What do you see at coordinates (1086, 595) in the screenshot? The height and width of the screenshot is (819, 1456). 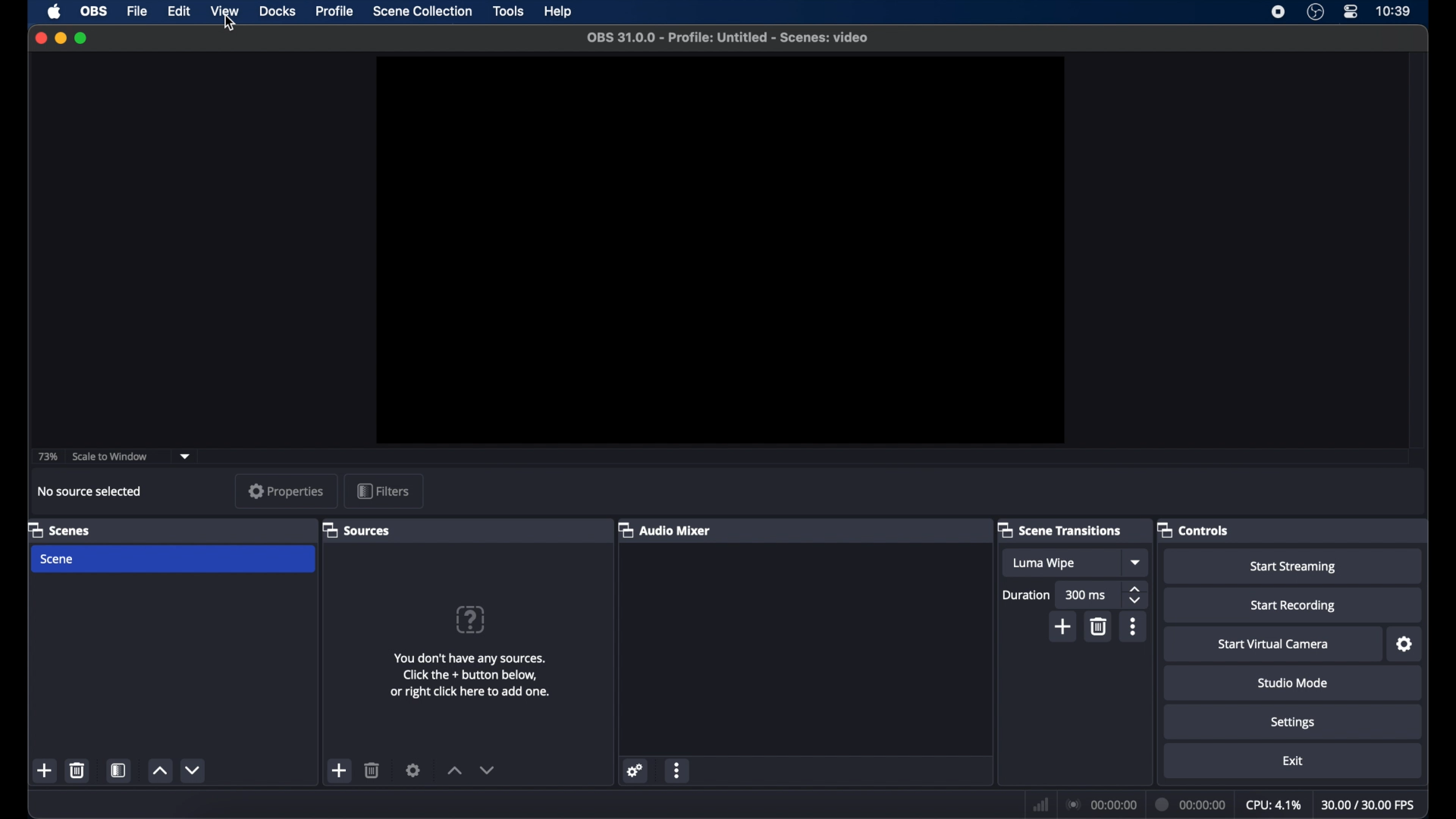 I see `300 ms` at bounding box center [1086, 595].